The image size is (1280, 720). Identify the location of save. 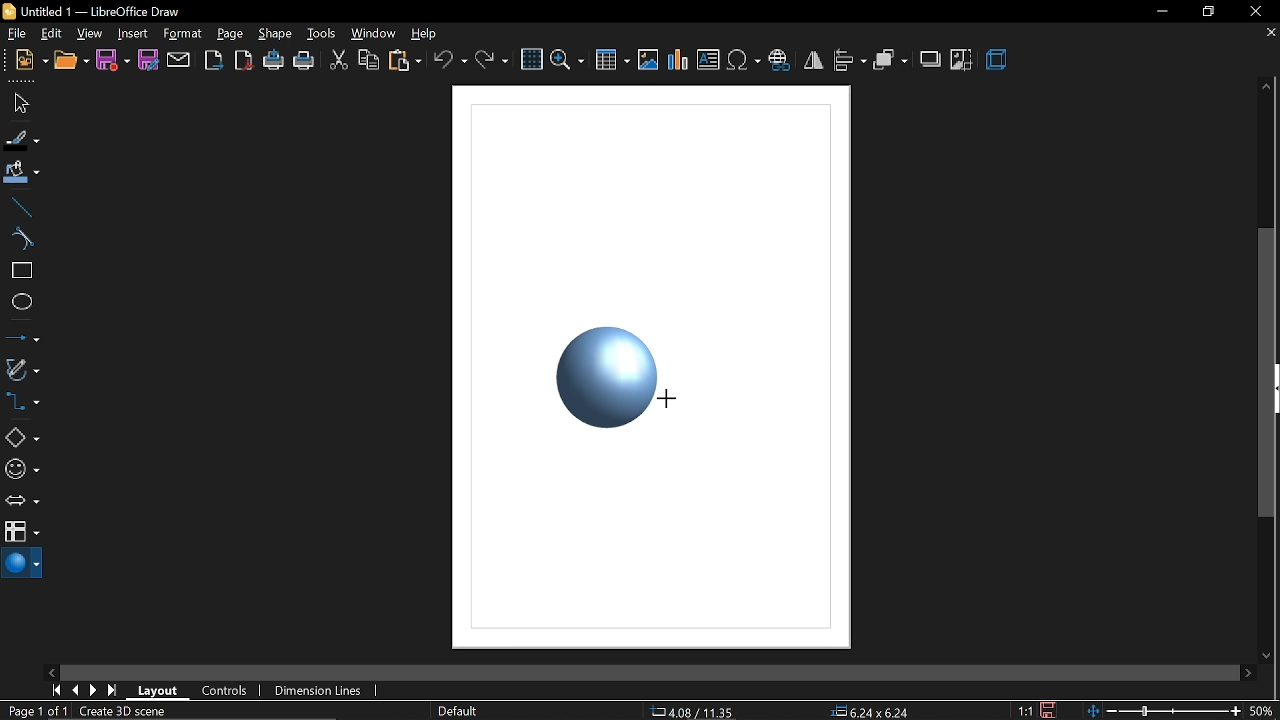
(113, 61).